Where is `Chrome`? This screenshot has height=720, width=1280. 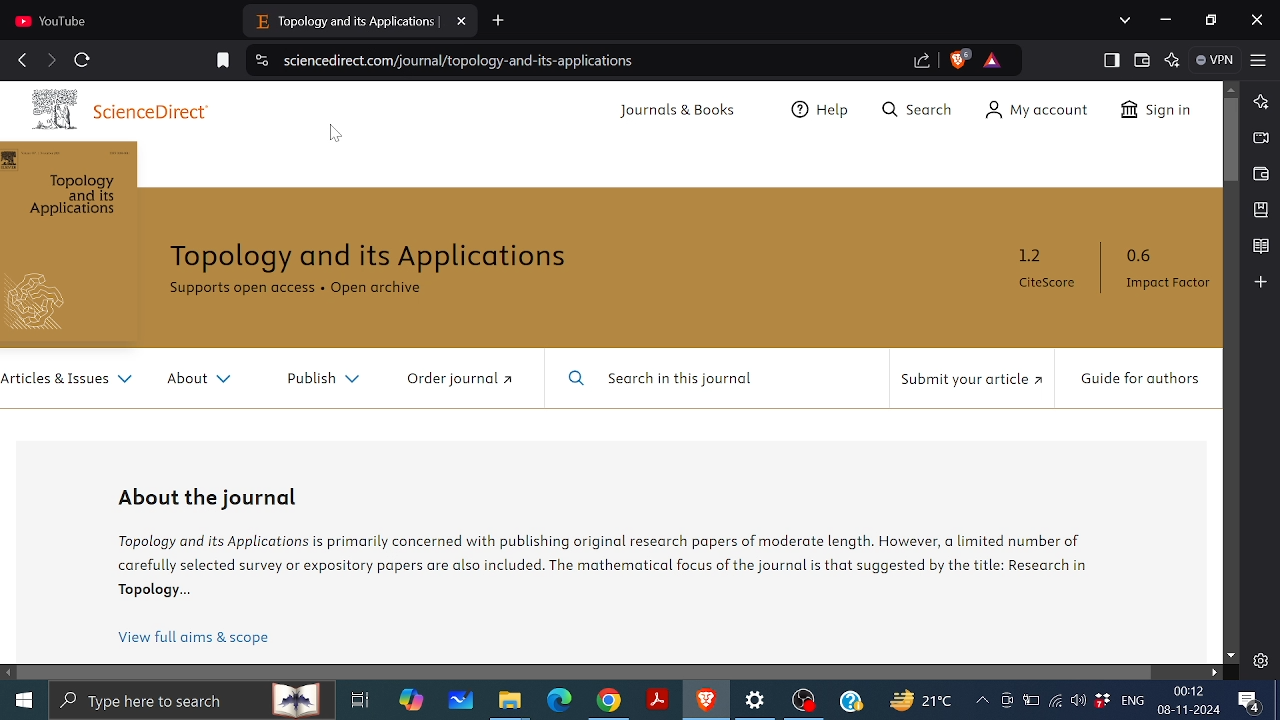
Chrome is located at coordinates (609, 701).